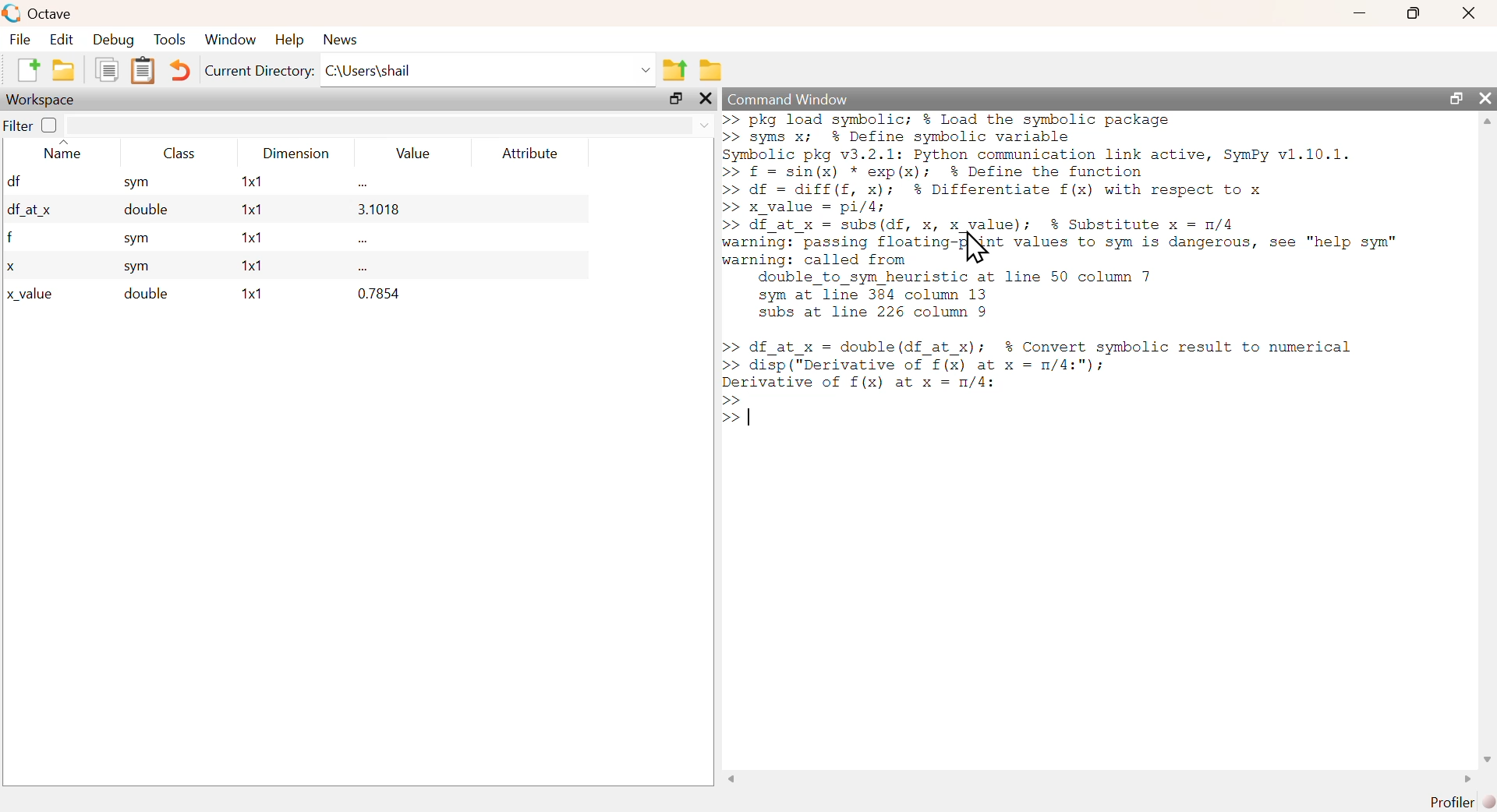 The height and width of the screenshot is (812, 1497). What do you see at coordinates (704, 98) in the screenshot?
I see `close` at bounding box center [704, 98].